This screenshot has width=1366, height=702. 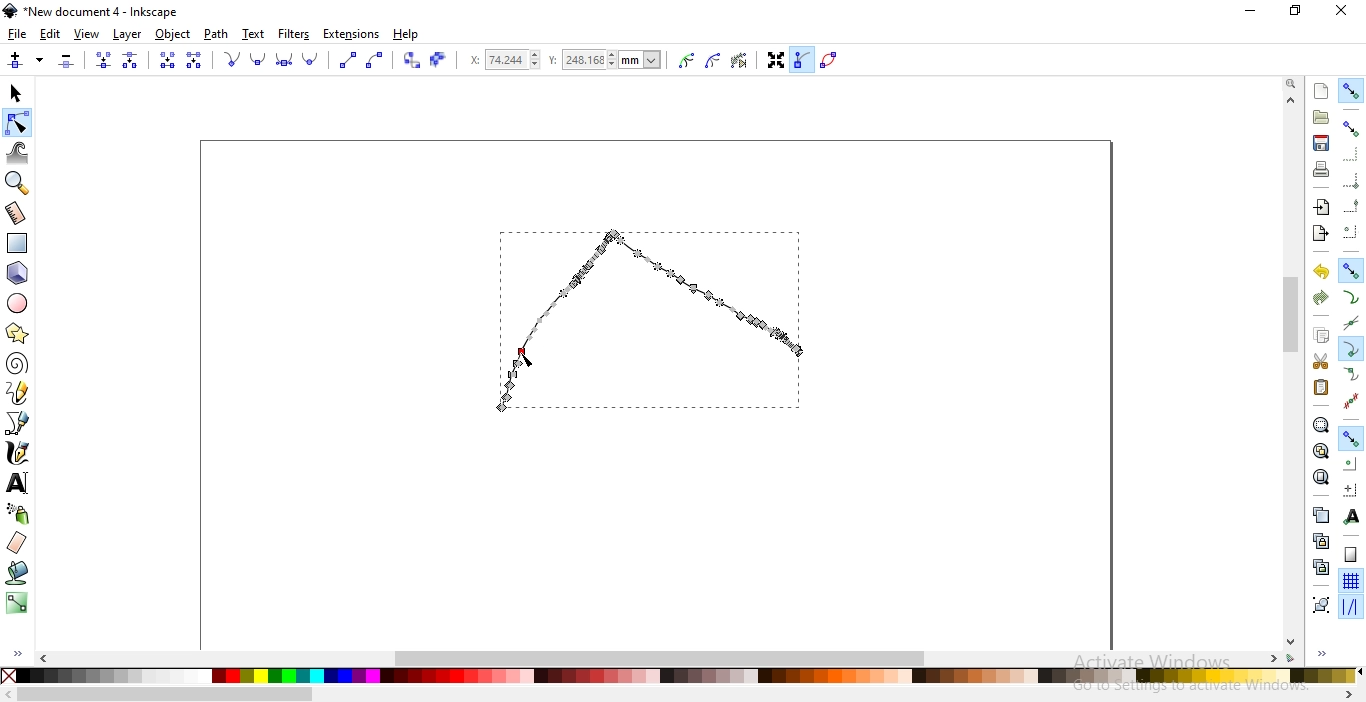 What do you see at coordinates (166, 60) in the screenshot?
I see `join selected endnodes with a new segment` at bounding box center [166, 60].